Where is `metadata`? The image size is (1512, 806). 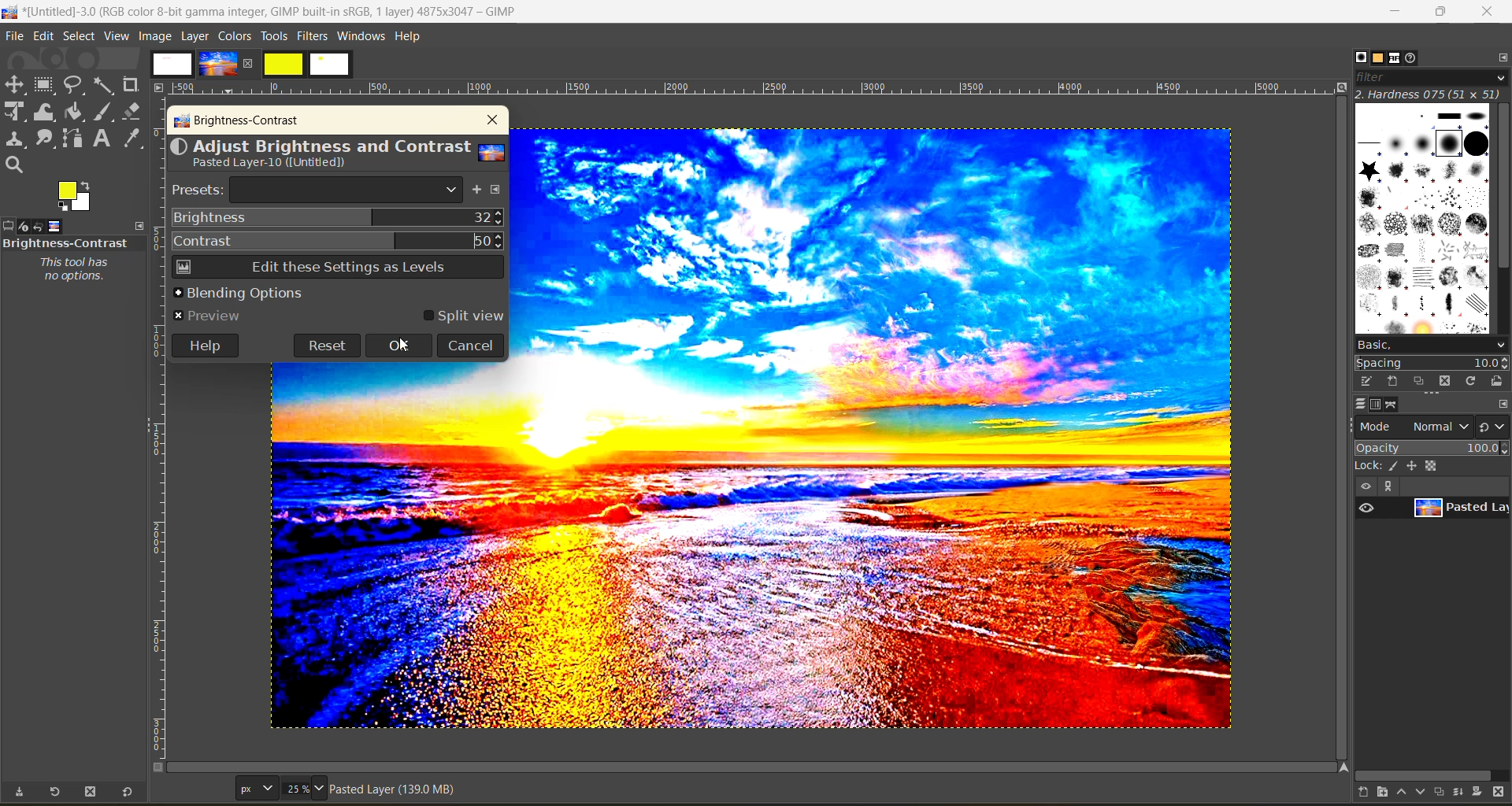
metadata is located at coordinates (396, 792).